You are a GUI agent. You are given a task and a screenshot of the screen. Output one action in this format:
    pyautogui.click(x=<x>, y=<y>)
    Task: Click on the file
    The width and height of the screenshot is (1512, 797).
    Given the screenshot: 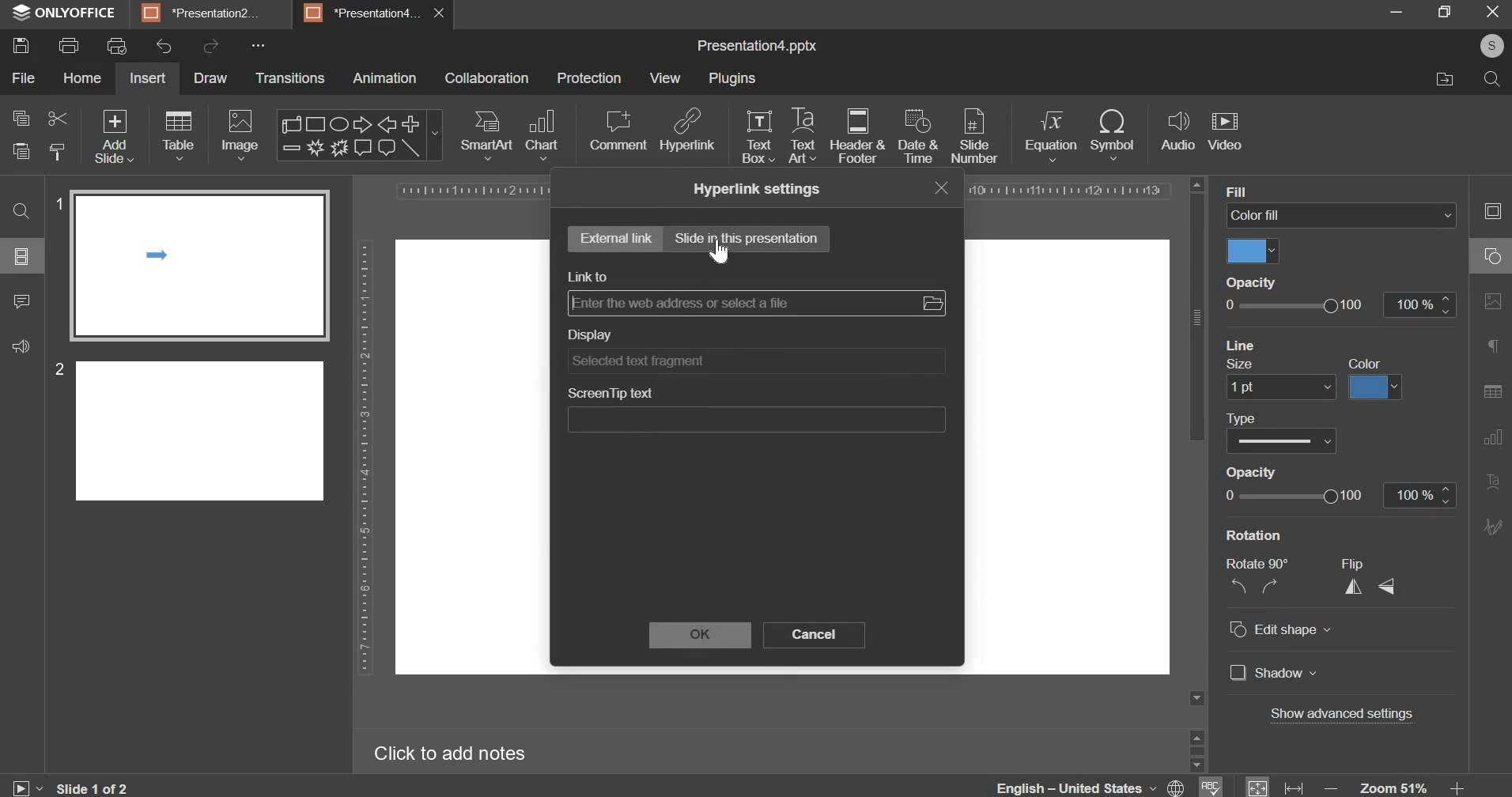 What is the action you would take?
    pyautogui.click(x=25, y=78)
    